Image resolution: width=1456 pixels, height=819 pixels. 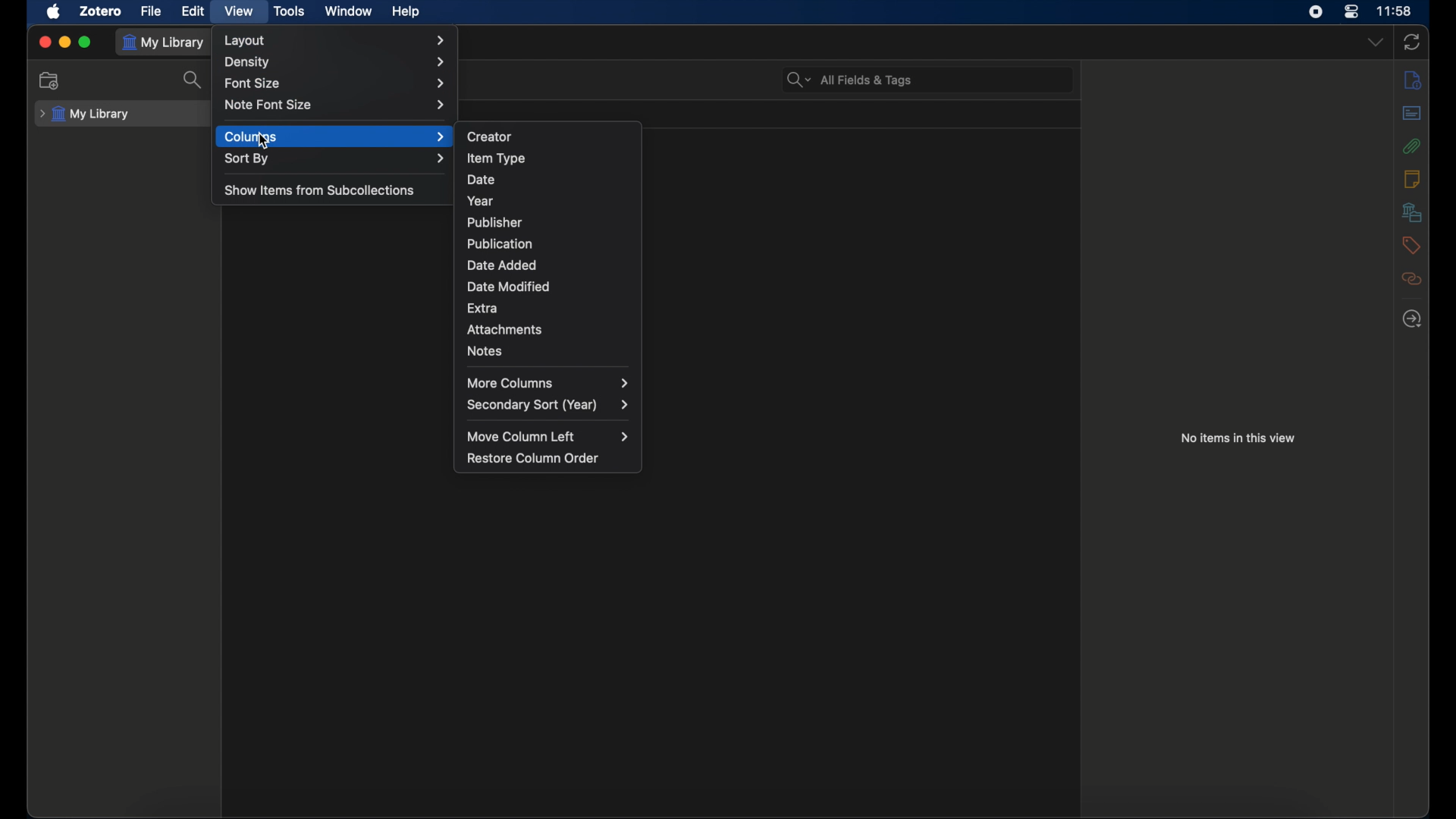 I want to click on all fields & tags, so click(x=851, y=80).